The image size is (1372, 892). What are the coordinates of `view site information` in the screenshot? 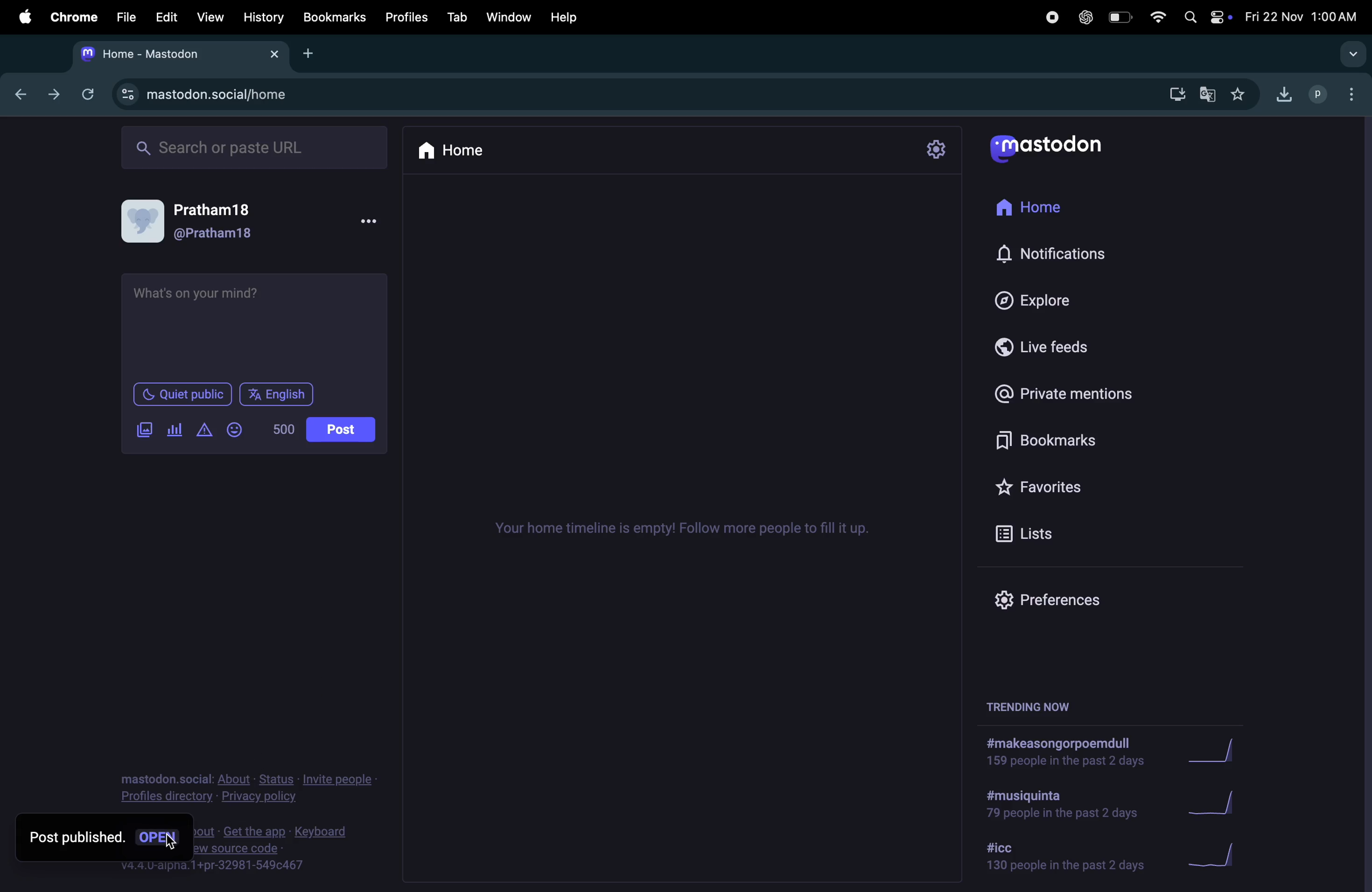 It's located at (128, 97).